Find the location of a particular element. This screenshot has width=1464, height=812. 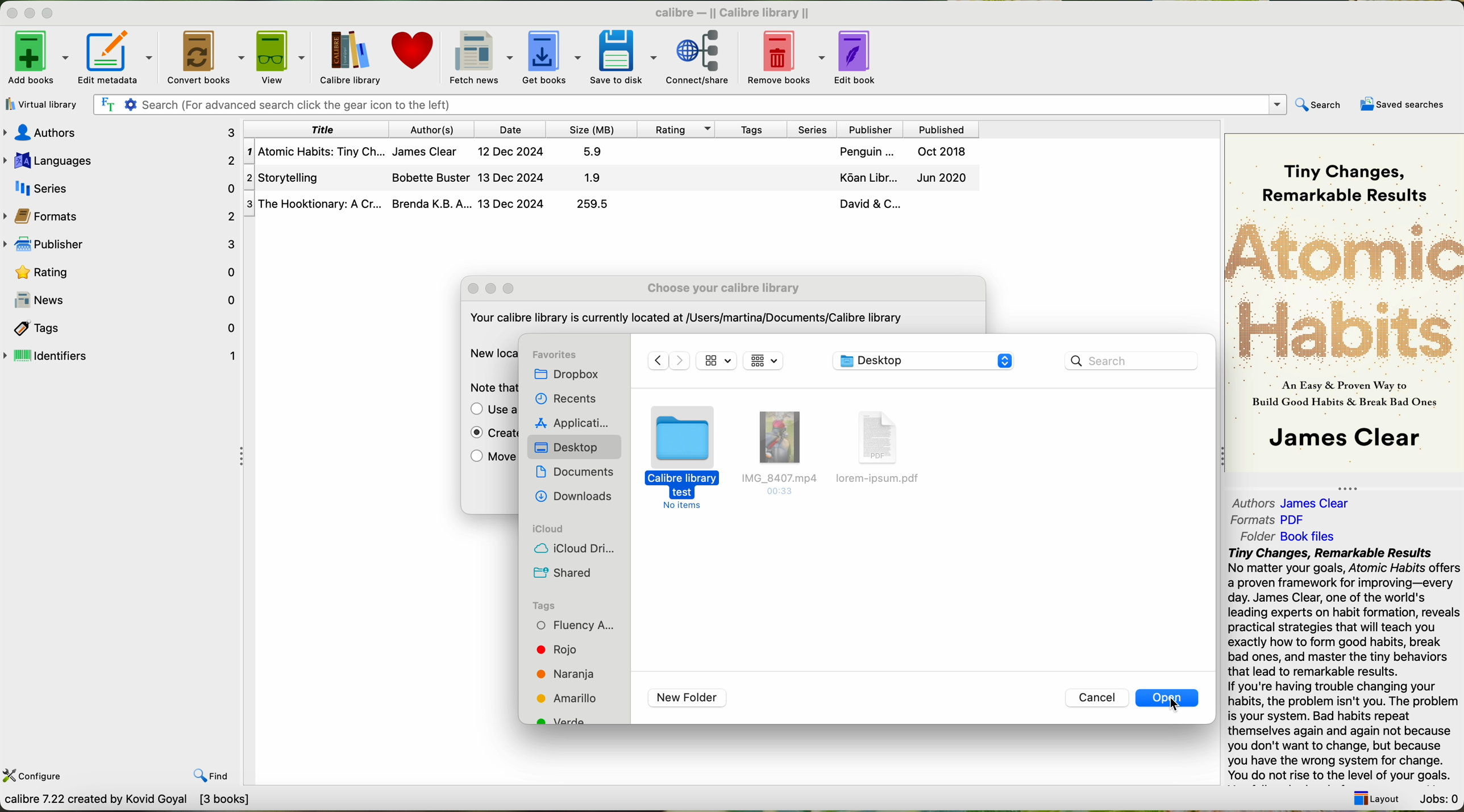

rating is located at coordinates (122, 271).